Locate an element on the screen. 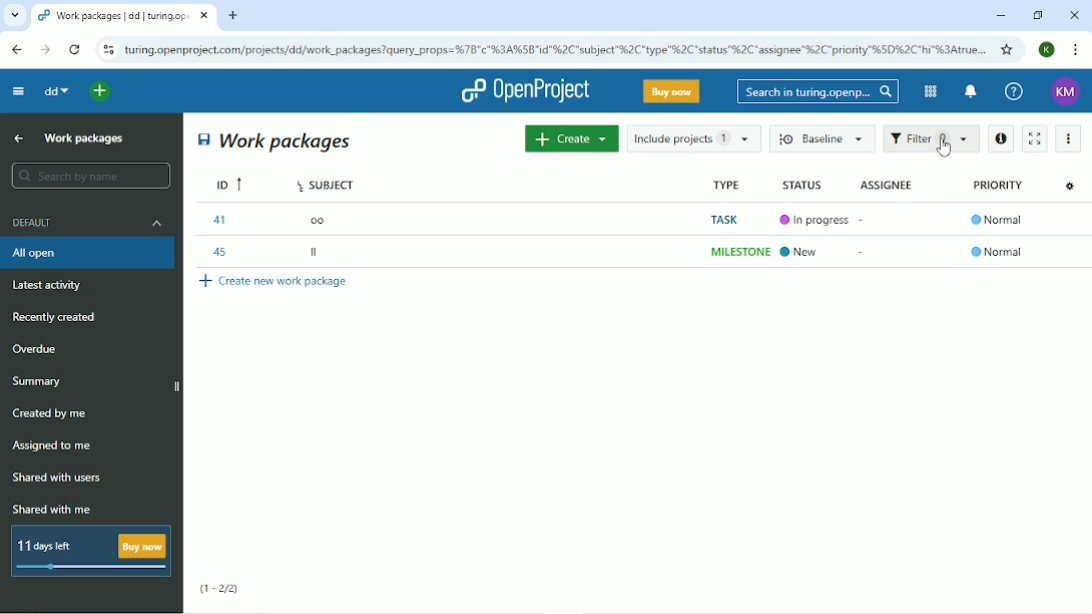 This screenshot has height=614, width=1092. Task is located at coordinates (726, 218).